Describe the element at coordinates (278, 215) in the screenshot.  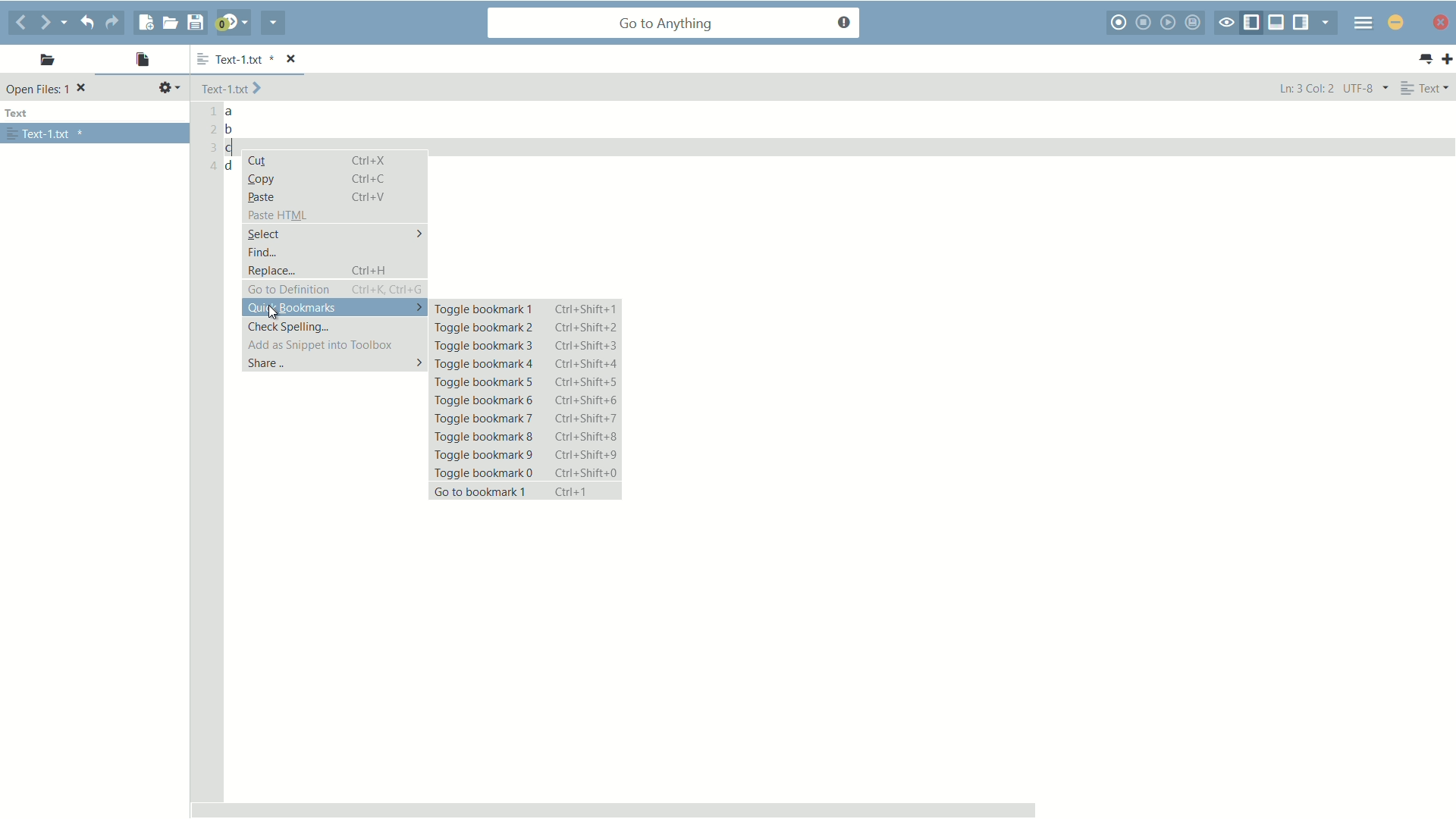
I see `paste html` at that location.